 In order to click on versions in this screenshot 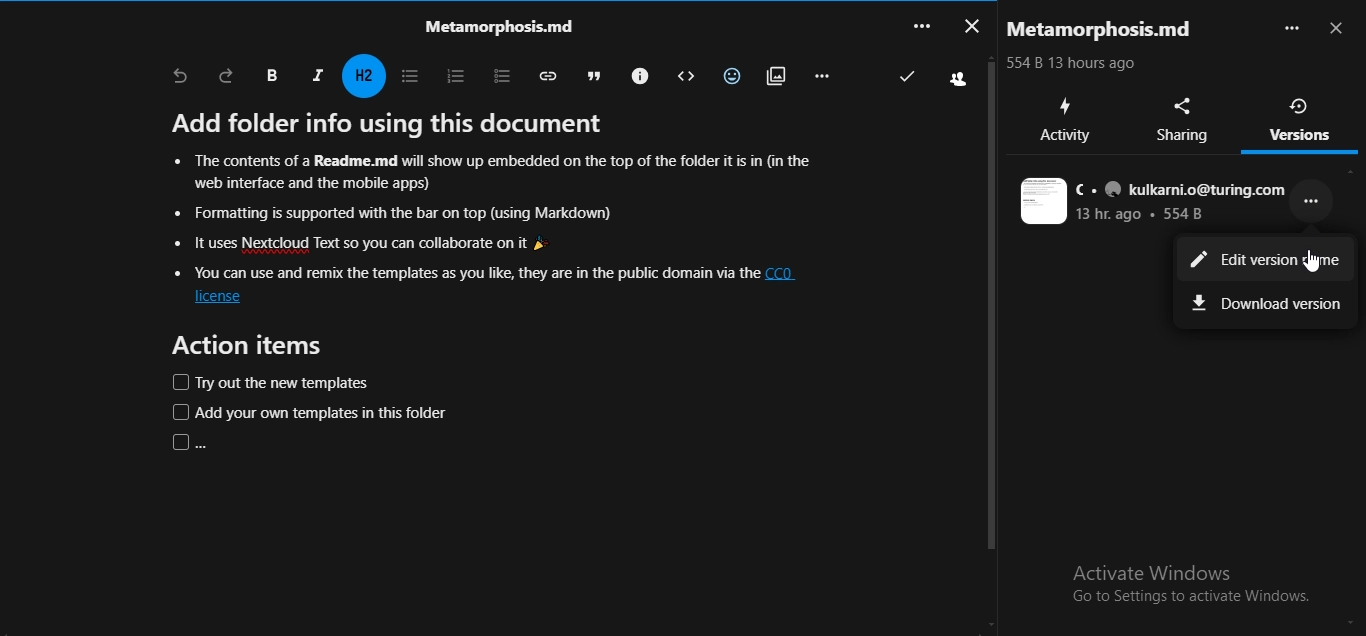, I will do `click(1301, 119)`.